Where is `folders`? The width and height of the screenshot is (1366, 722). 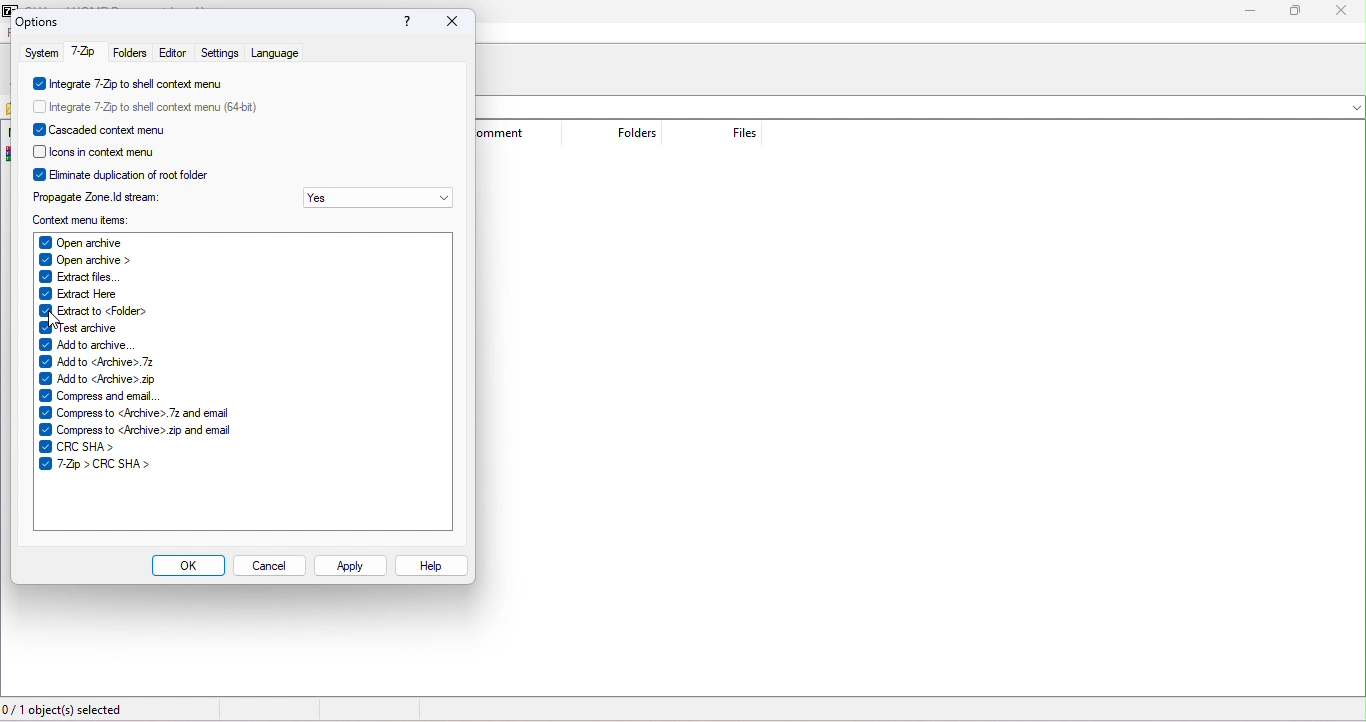 folders is located at coordinates (624, 133).